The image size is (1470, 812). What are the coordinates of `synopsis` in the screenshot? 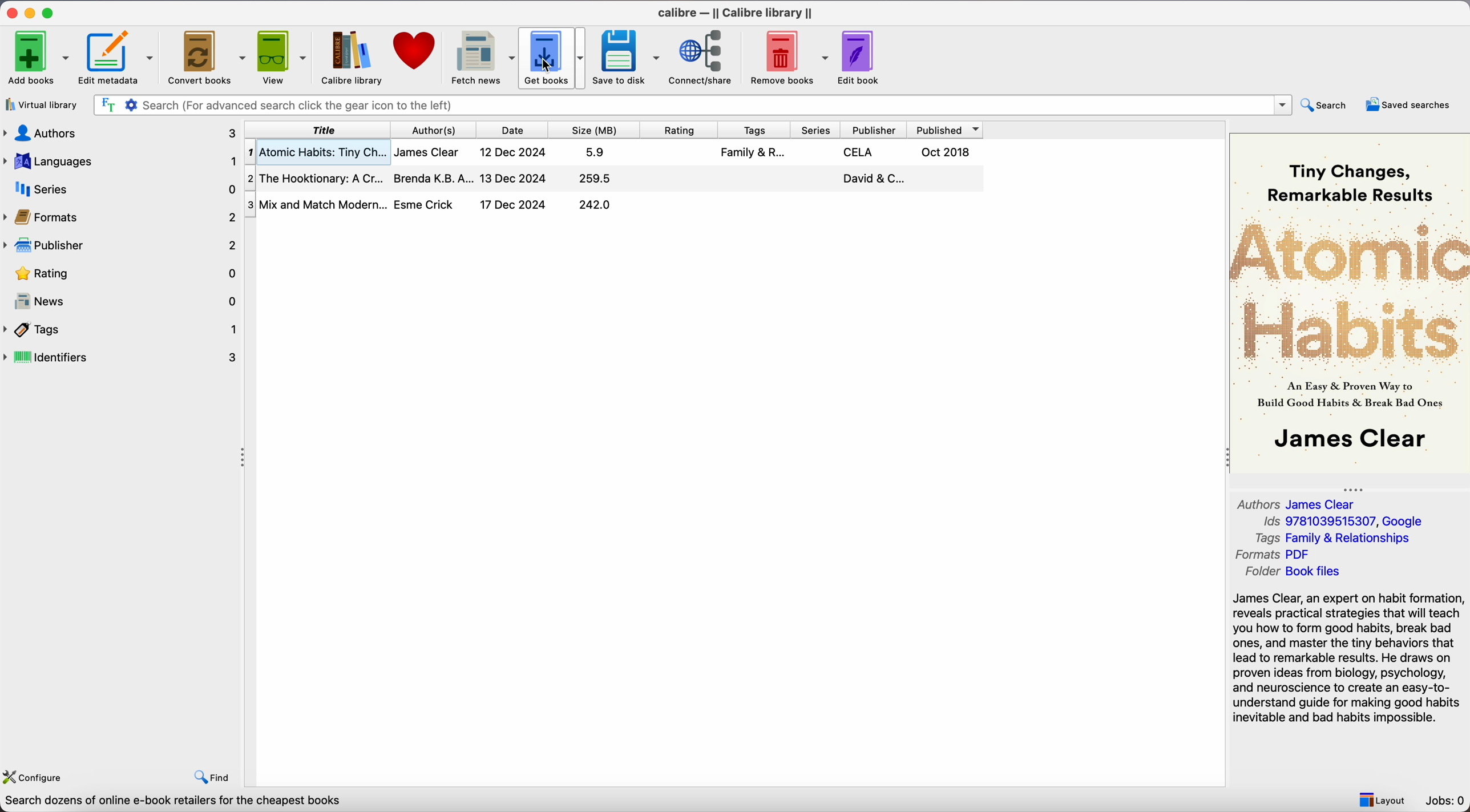 It's located at (1350, 658).